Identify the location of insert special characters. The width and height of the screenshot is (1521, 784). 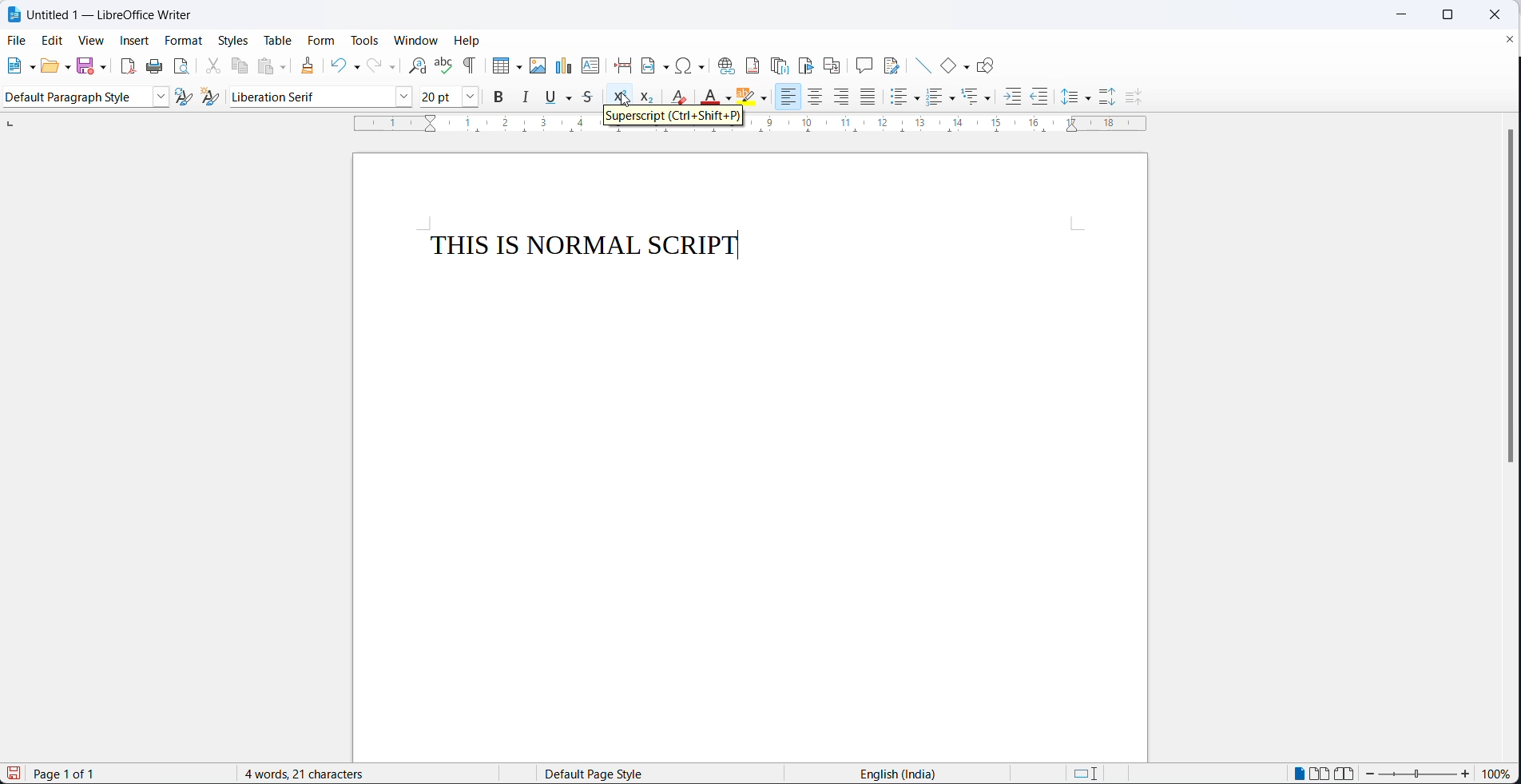
(693, 65).